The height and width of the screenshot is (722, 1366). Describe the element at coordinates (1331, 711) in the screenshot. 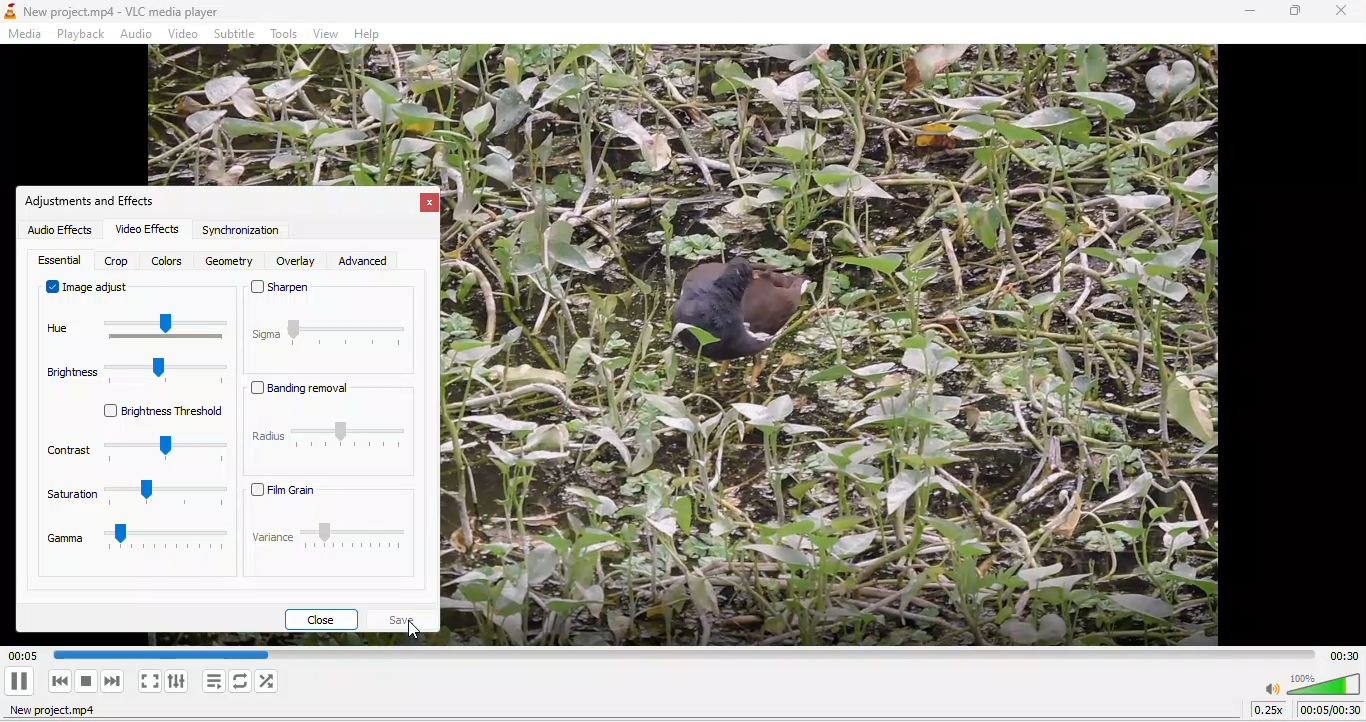

I see `00.01/ 00.30` at that location.